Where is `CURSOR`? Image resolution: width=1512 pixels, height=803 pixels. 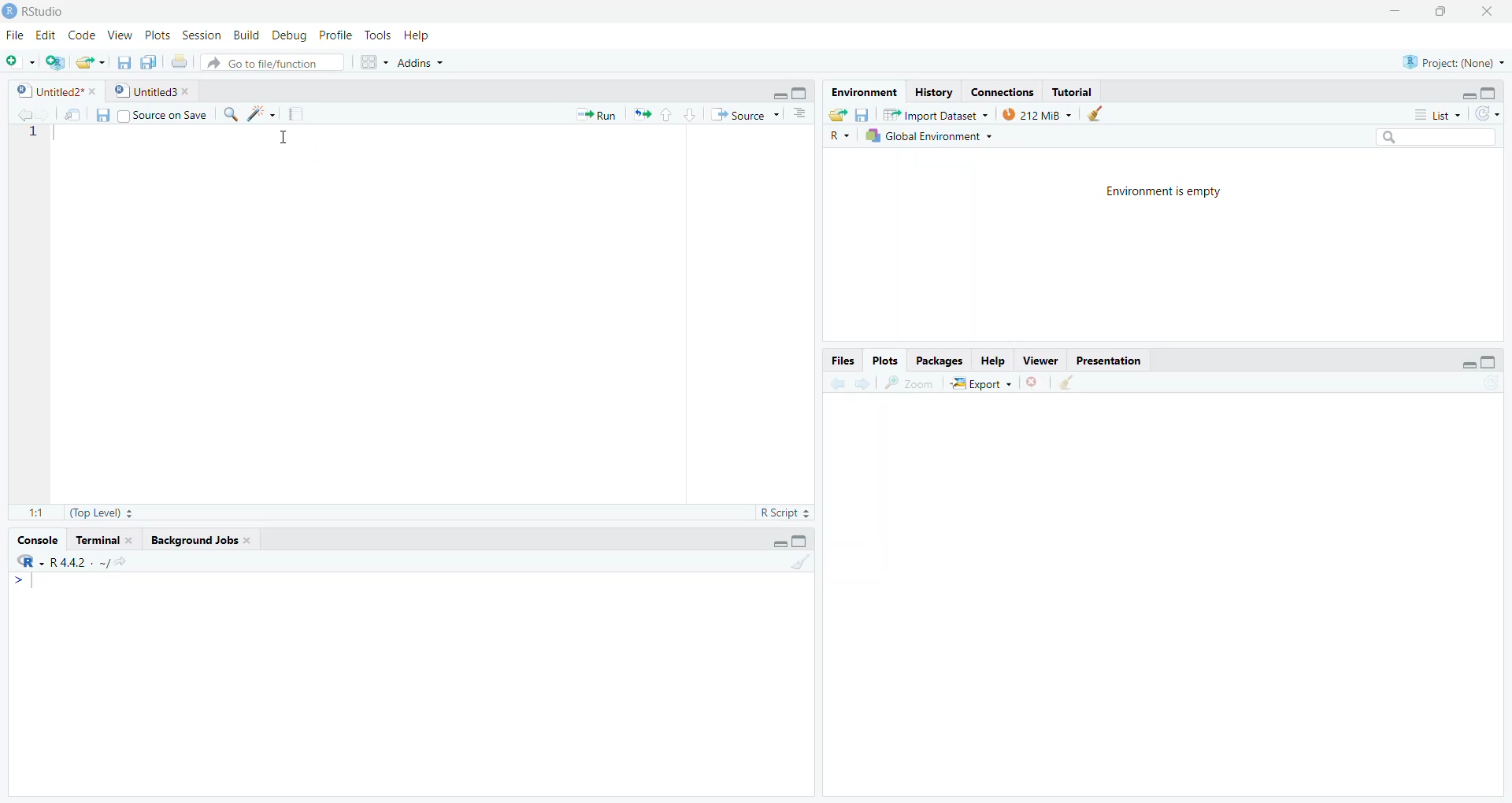 CURSOR is located at coordinates (287, 139).